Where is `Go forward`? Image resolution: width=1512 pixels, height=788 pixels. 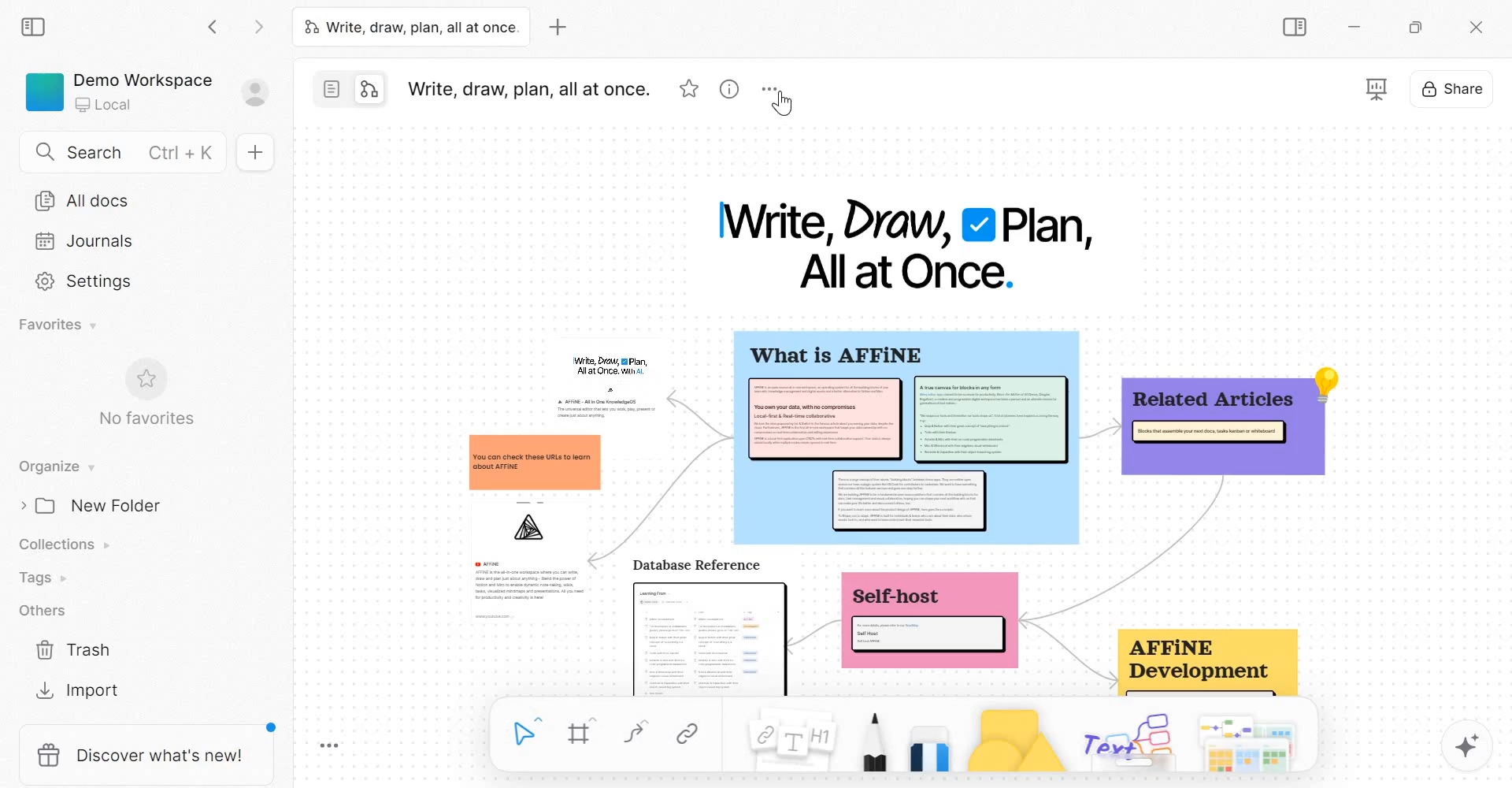 Go forward is located at coordinates (254, 31).